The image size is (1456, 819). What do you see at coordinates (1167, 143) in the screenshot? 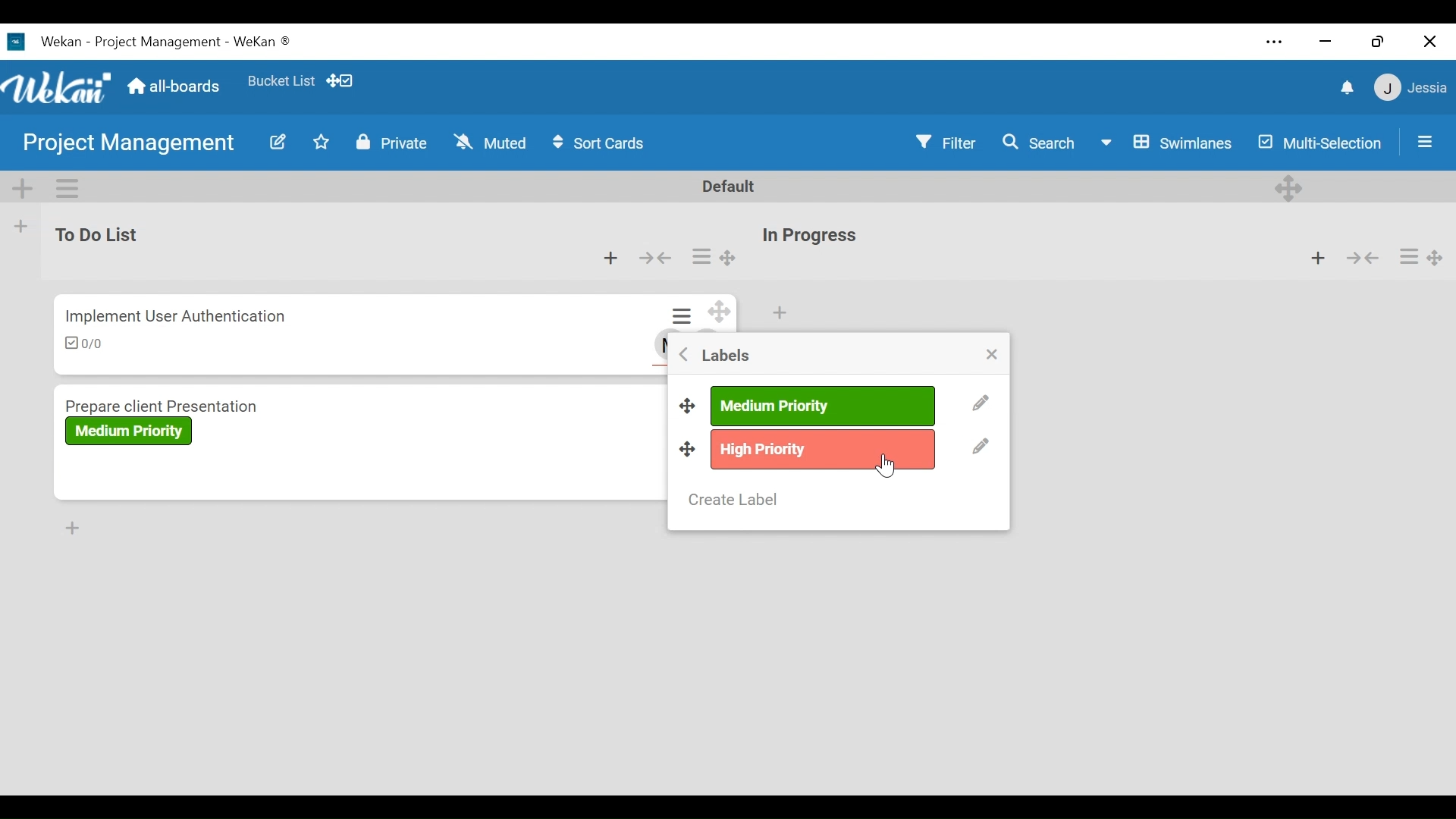
I see `Board View` at bounding box center [1167, 143].